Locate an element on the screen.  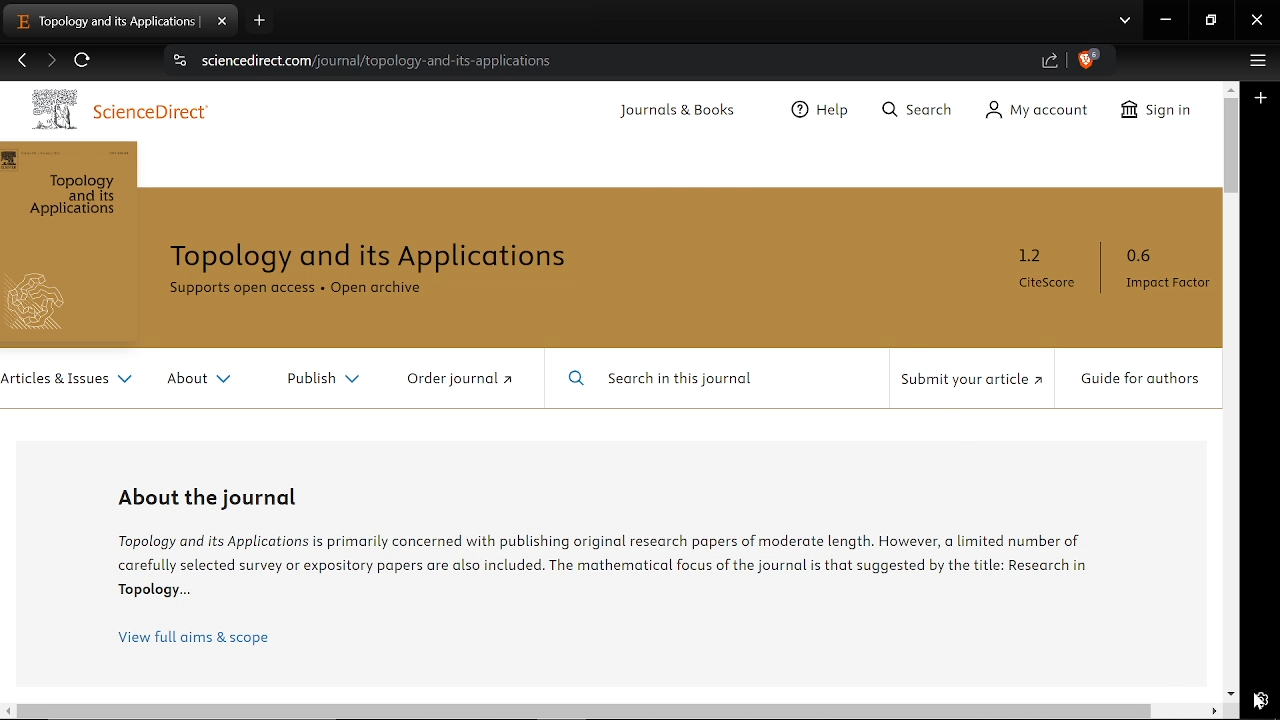
Topology and its Applications is located at coordinates (73, 197).